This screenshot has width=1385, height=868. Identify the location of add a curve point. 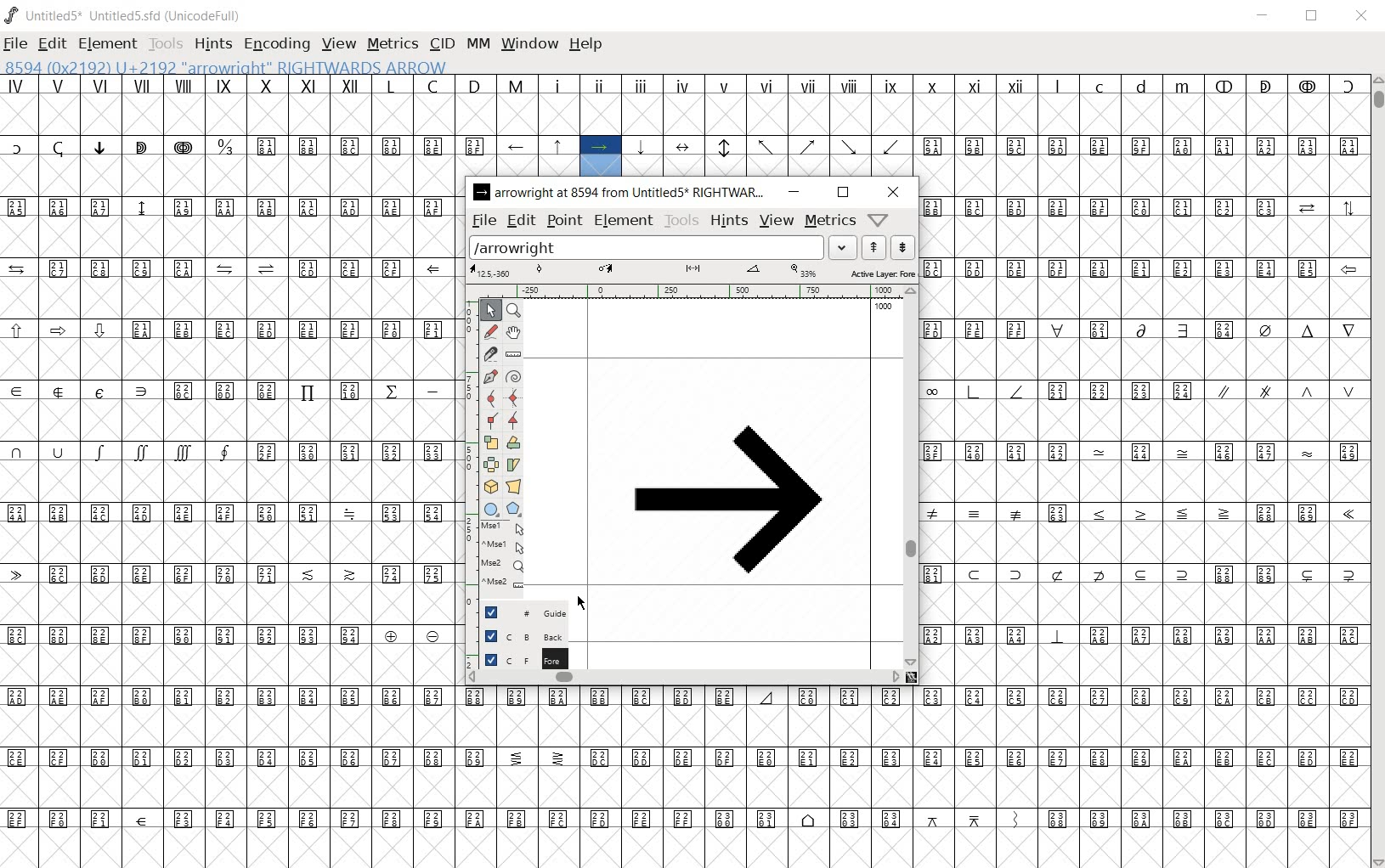
(490, 398).